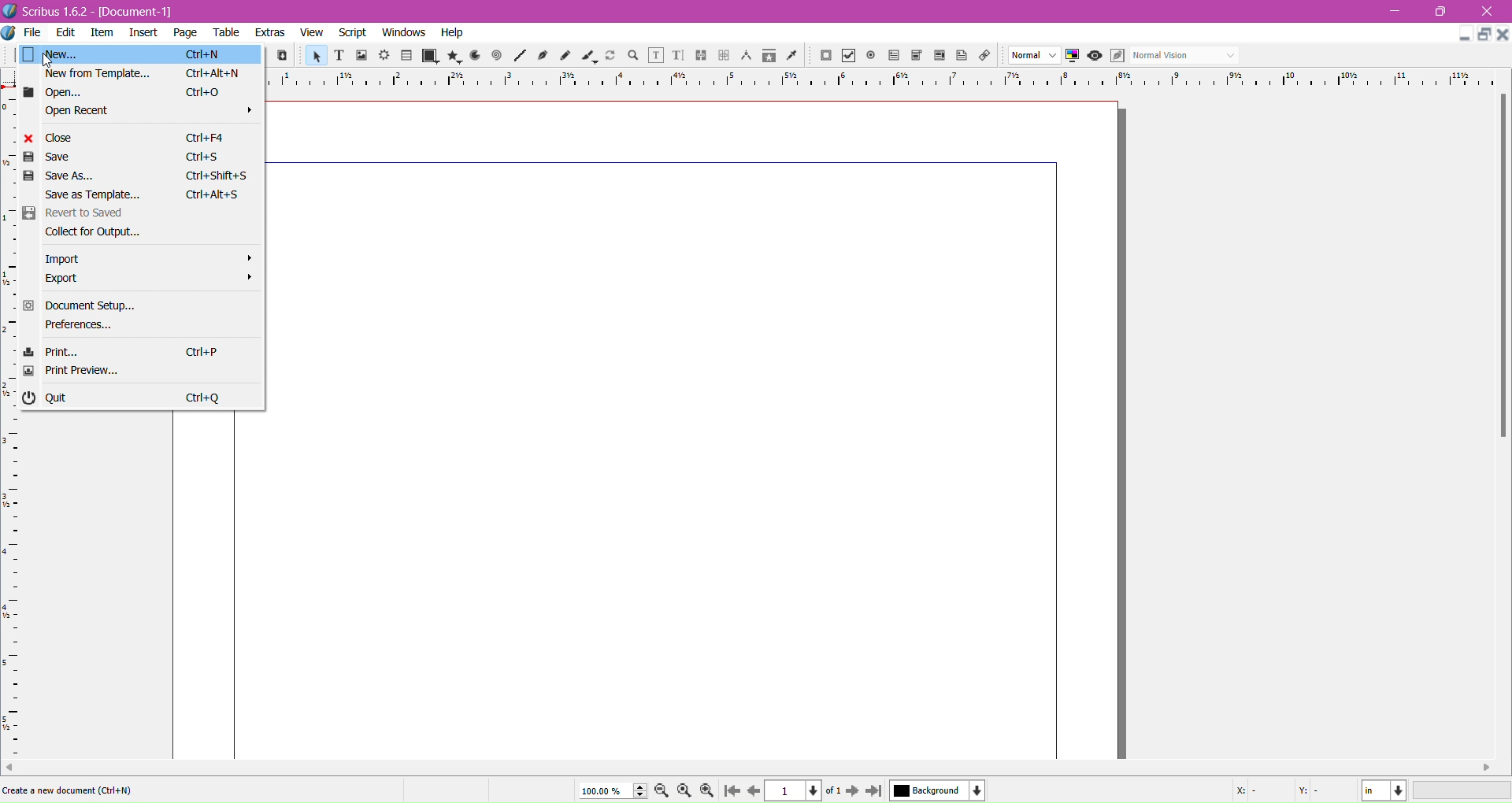 The height and width of the screenshot is (803, 1512). Describe the element at coordinates (877, 791) in the screenshot. I see `end` at that location.